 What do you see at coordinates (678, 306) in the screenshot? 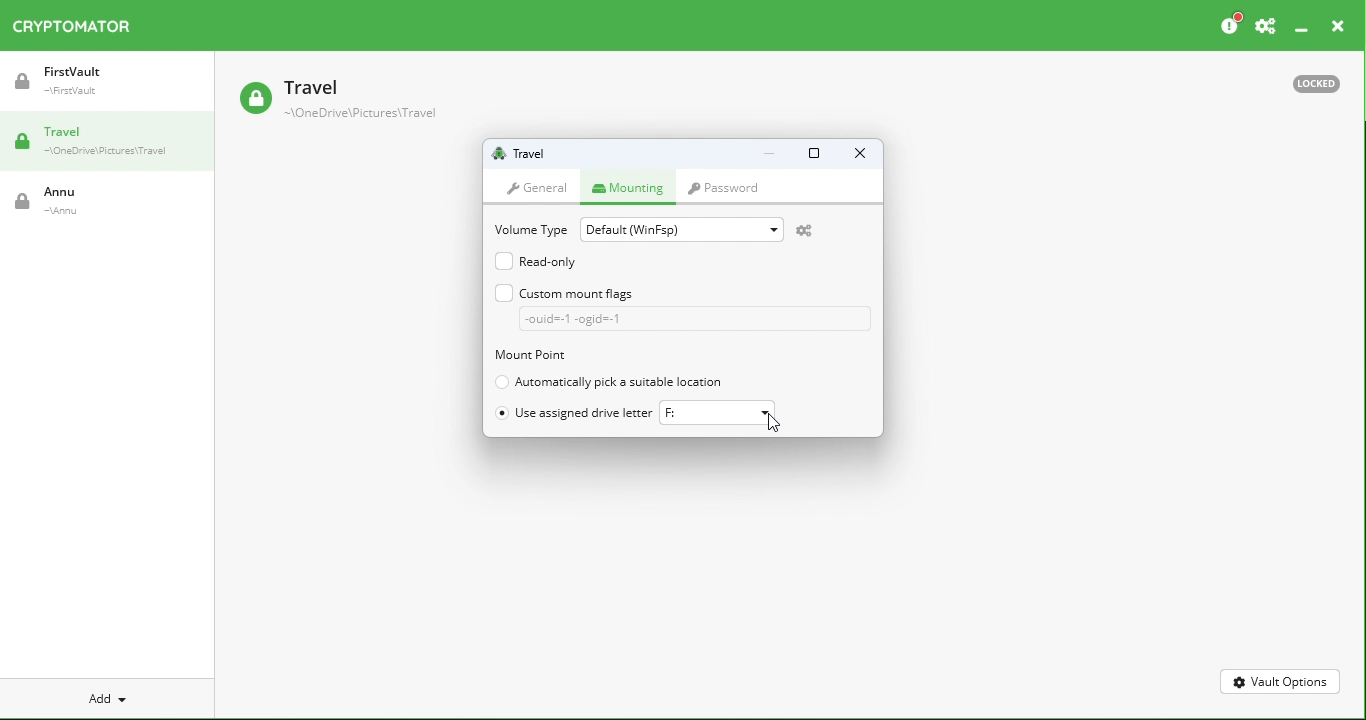
I see `Custom mount flag` at bounding box center [678, 306].